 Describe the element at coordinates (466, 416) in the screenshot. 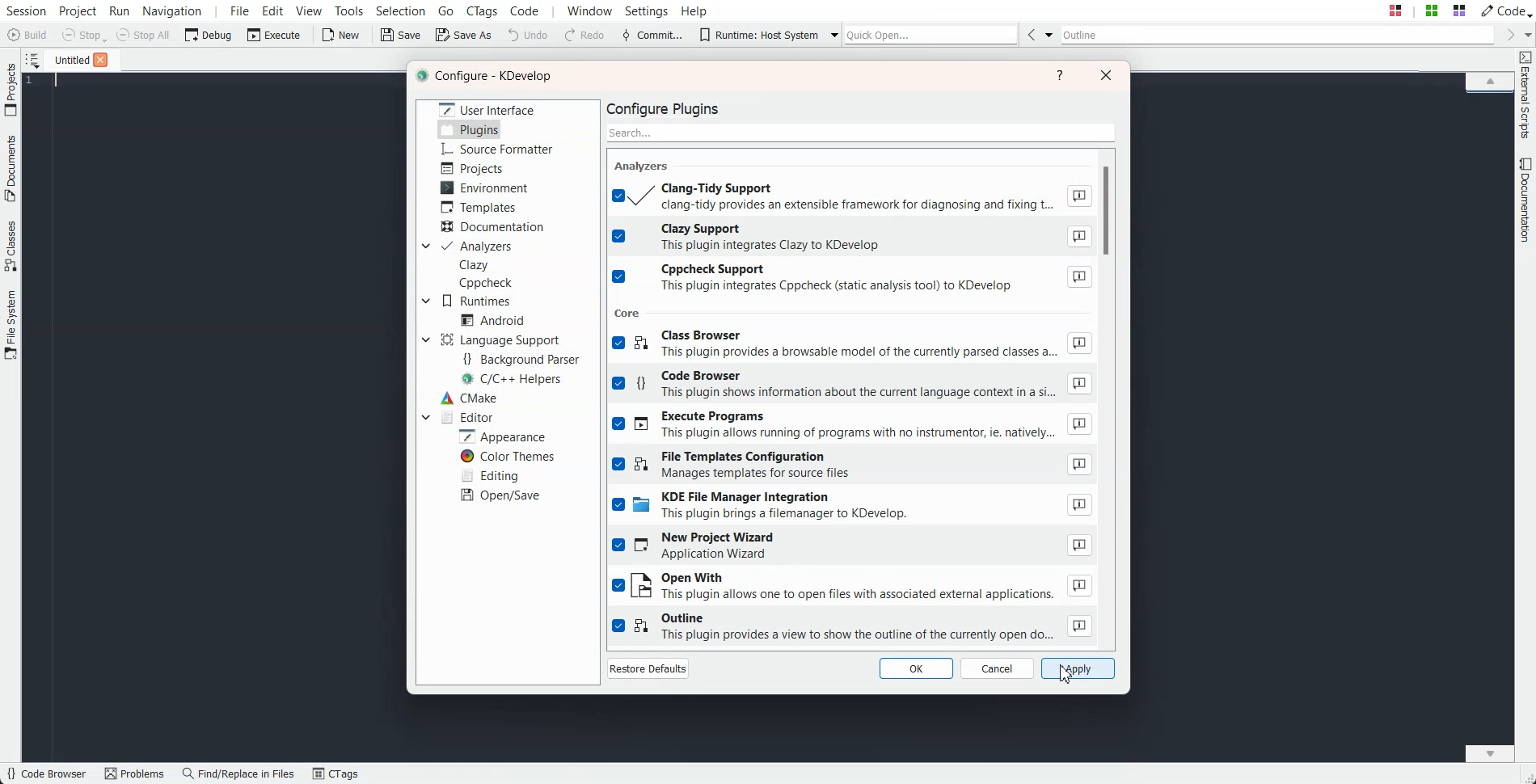

I see `Editor` at that location.